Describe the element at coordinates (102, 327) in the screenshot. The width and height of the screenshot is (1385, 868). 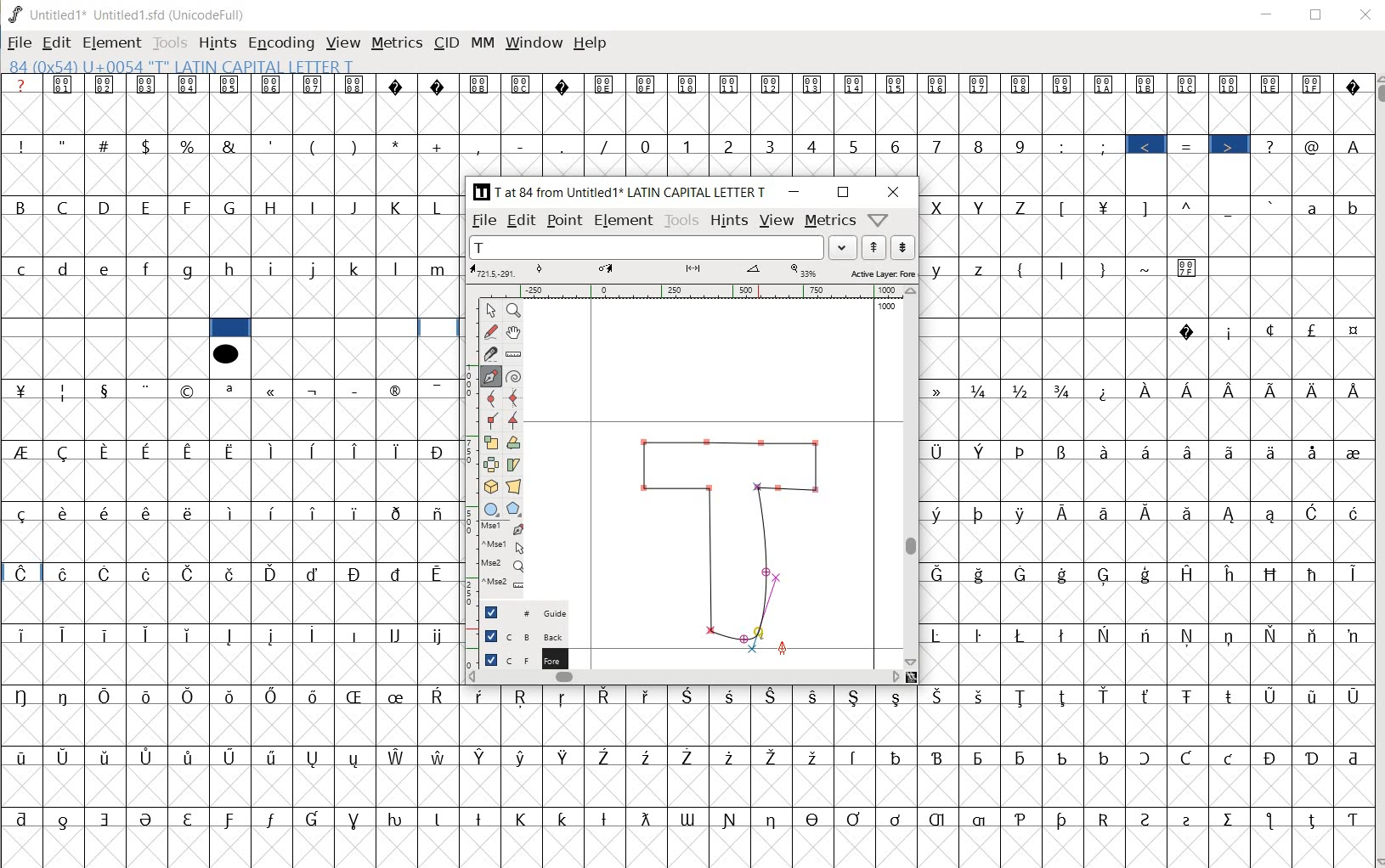
I see `empty spaces` at that location.